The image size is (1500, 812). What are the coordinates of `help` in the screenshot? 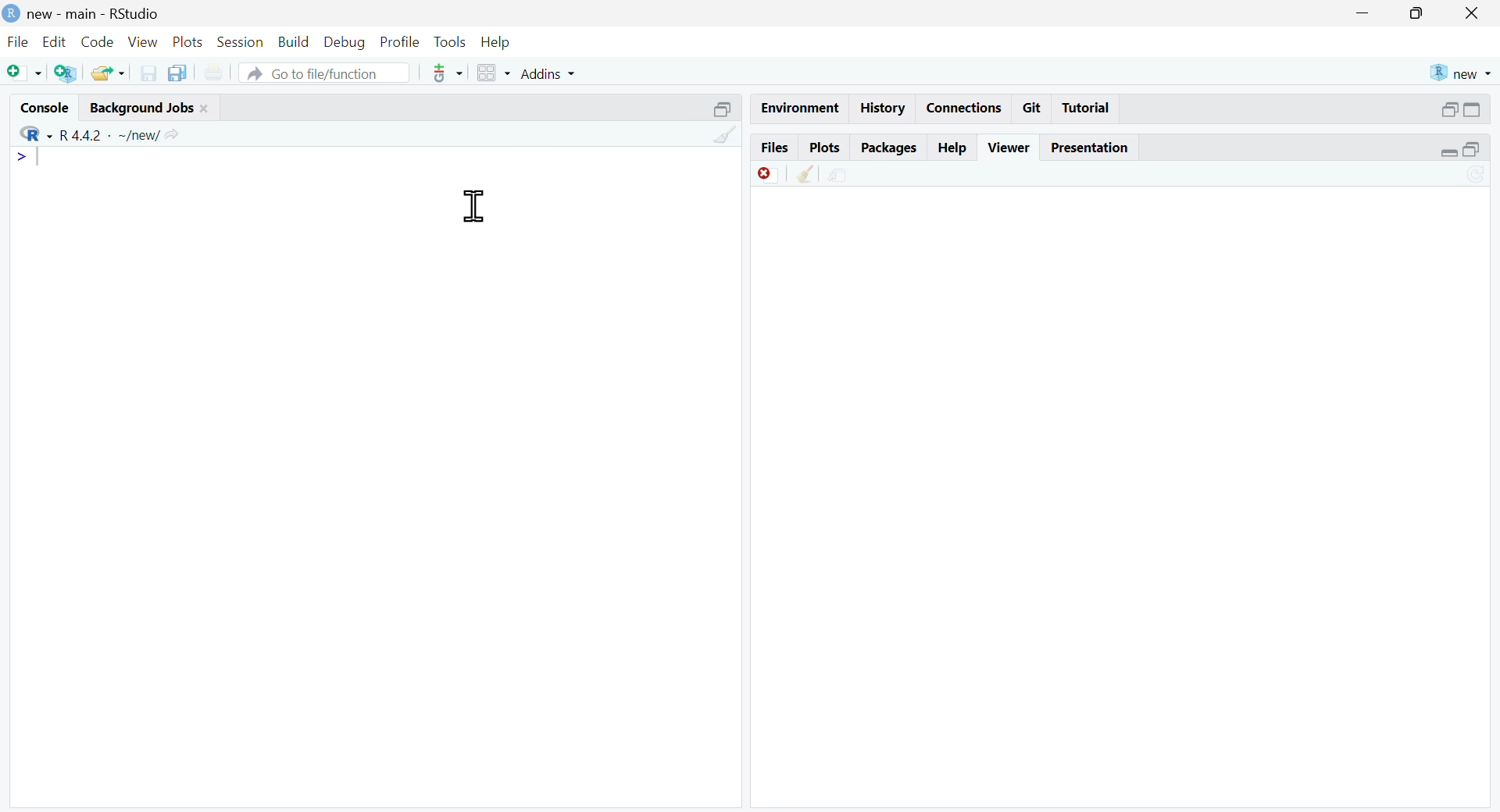 It's located at (495, 42).